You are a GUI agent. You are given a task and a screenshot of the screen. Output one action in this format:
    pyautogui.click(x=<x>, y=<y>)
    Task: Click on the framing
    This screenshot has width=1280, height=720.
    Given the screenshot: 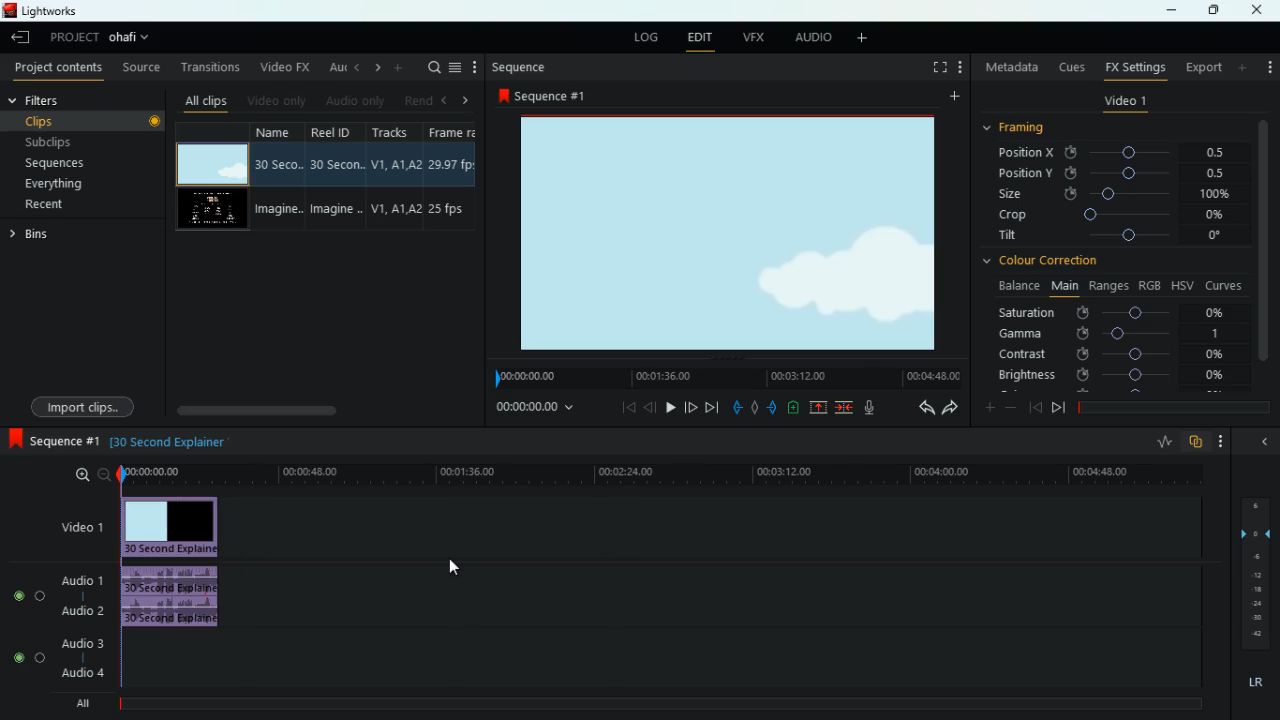 What is the action you would take?
    pyautogui.click(x=1016, y=128)
    